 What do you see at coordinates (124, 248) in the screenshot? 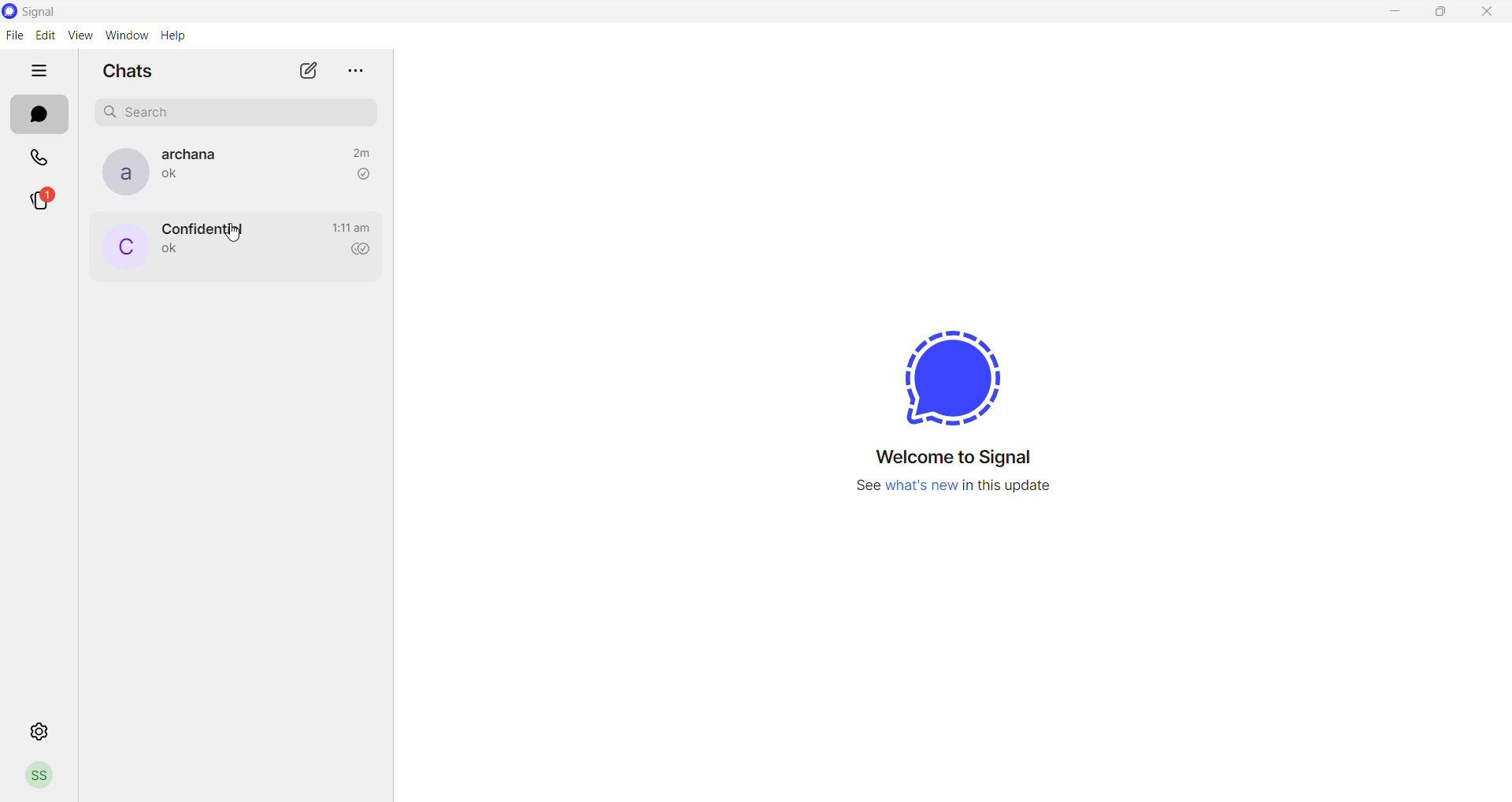
I see `profile picture` at bounding box center [124, 248].